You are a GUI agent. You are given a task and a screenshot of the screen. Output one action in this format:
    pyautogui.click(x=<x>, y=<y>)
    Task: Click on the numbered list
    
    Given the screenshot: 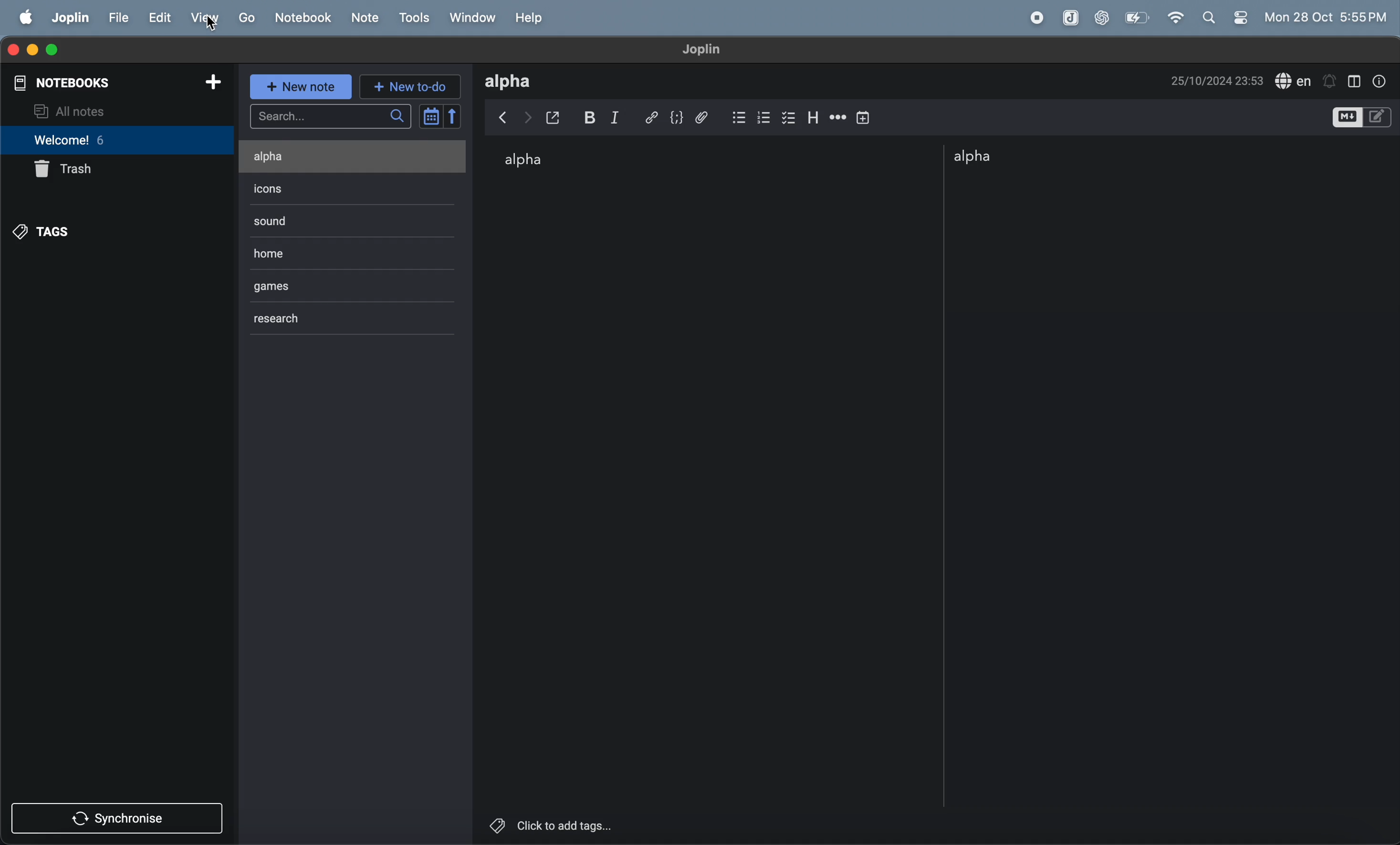 What is the action you would take?
    pyautogui.click(x=764, y=115)
    